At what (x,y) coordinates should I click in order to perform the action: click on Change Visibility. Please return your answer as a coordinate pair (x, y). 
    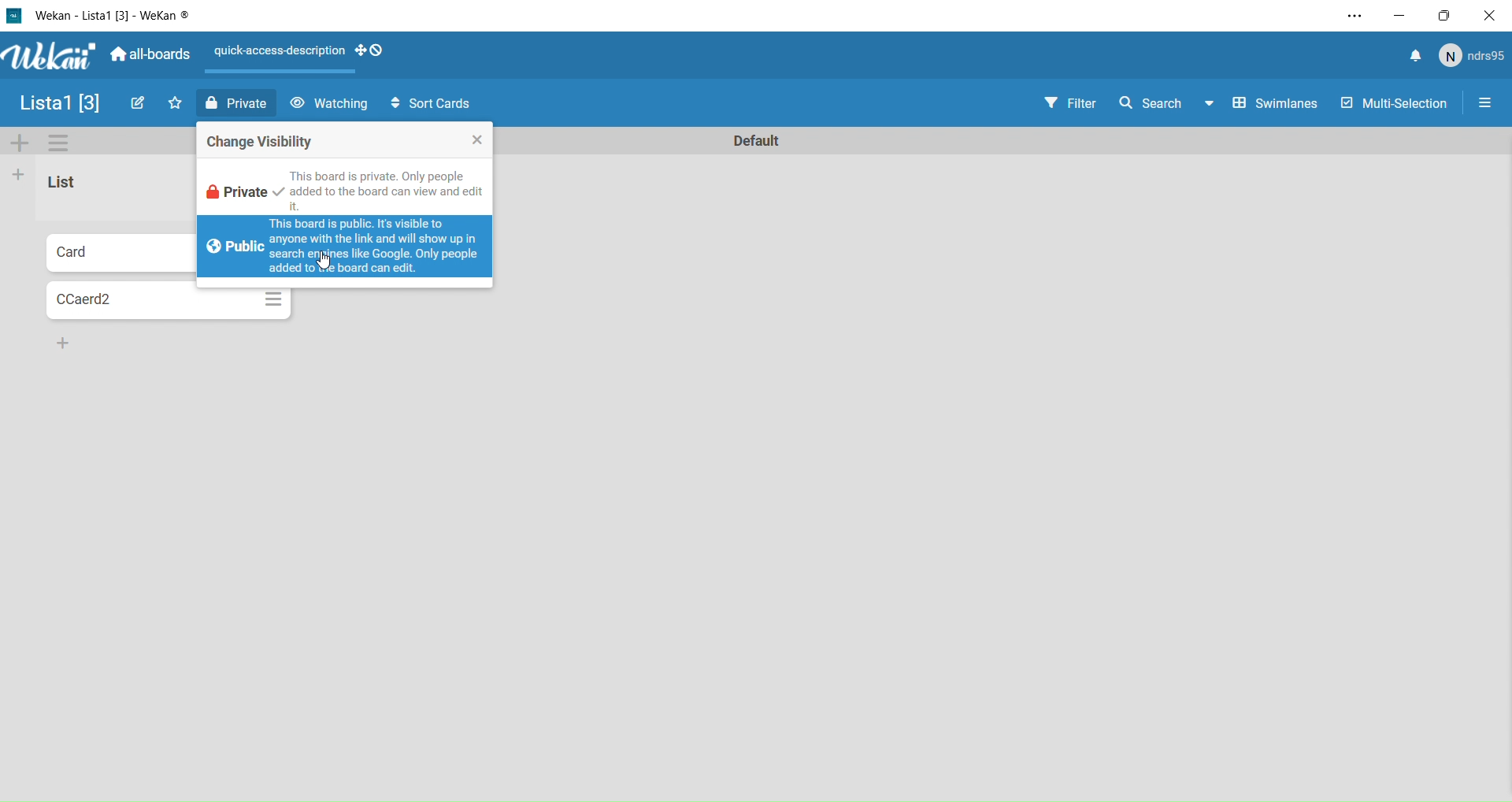
    Looking at the image, I should click on (345, 139).